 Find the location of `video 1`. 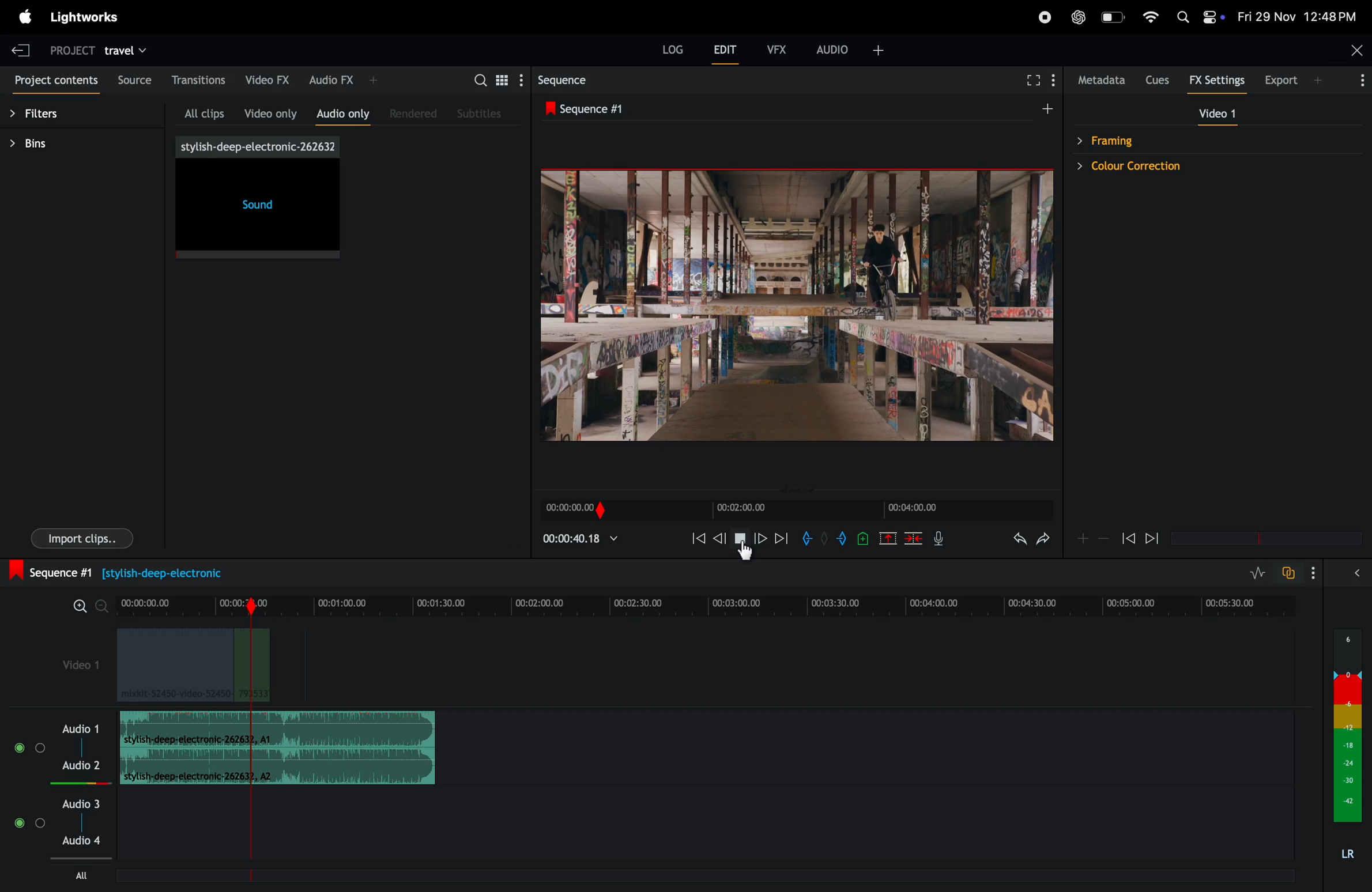

video 1 is located at coordinates (1222, 115).